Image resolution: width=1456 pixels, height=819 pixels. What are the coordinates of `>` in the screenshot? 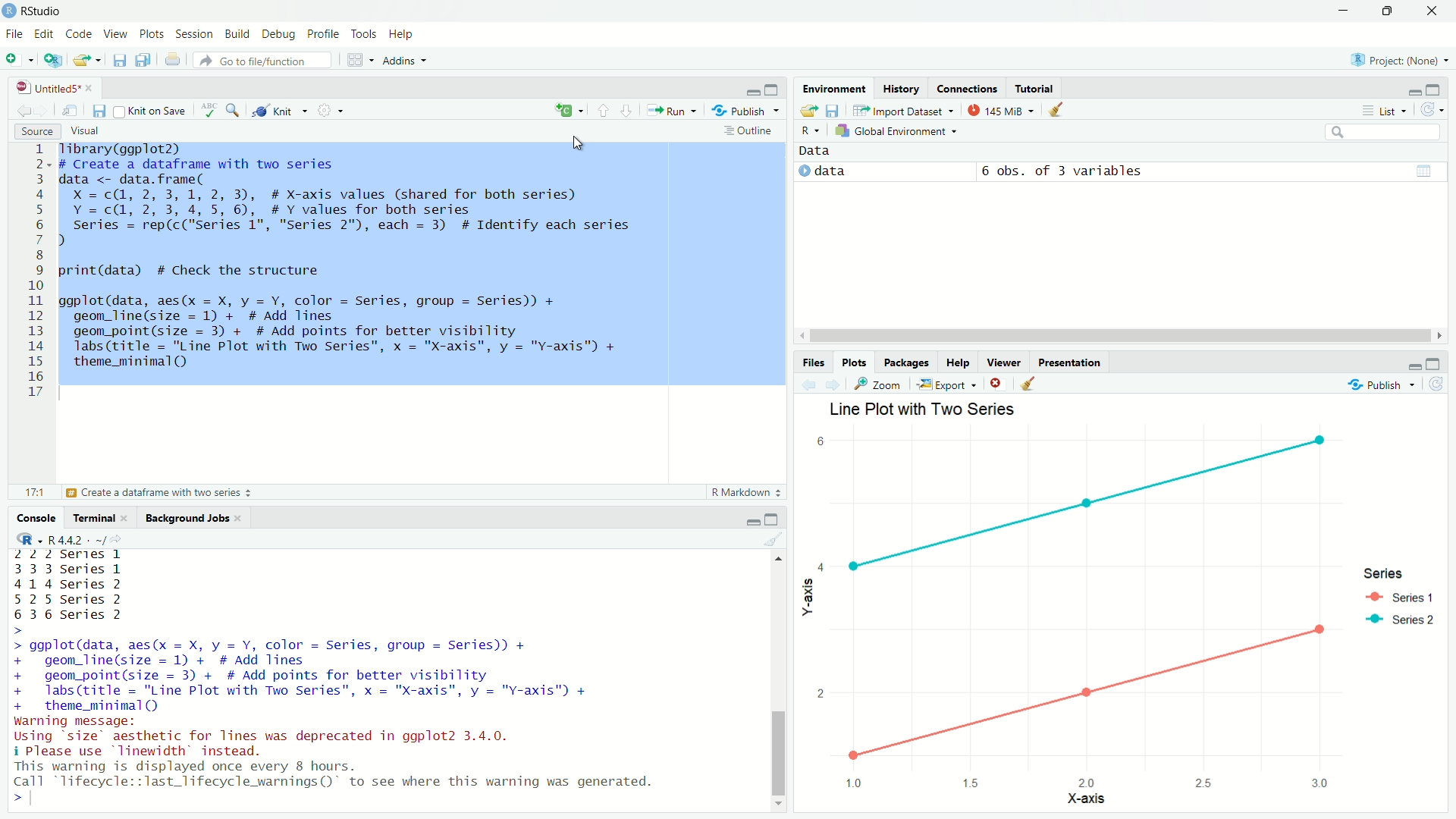 It's located at (11, 797).